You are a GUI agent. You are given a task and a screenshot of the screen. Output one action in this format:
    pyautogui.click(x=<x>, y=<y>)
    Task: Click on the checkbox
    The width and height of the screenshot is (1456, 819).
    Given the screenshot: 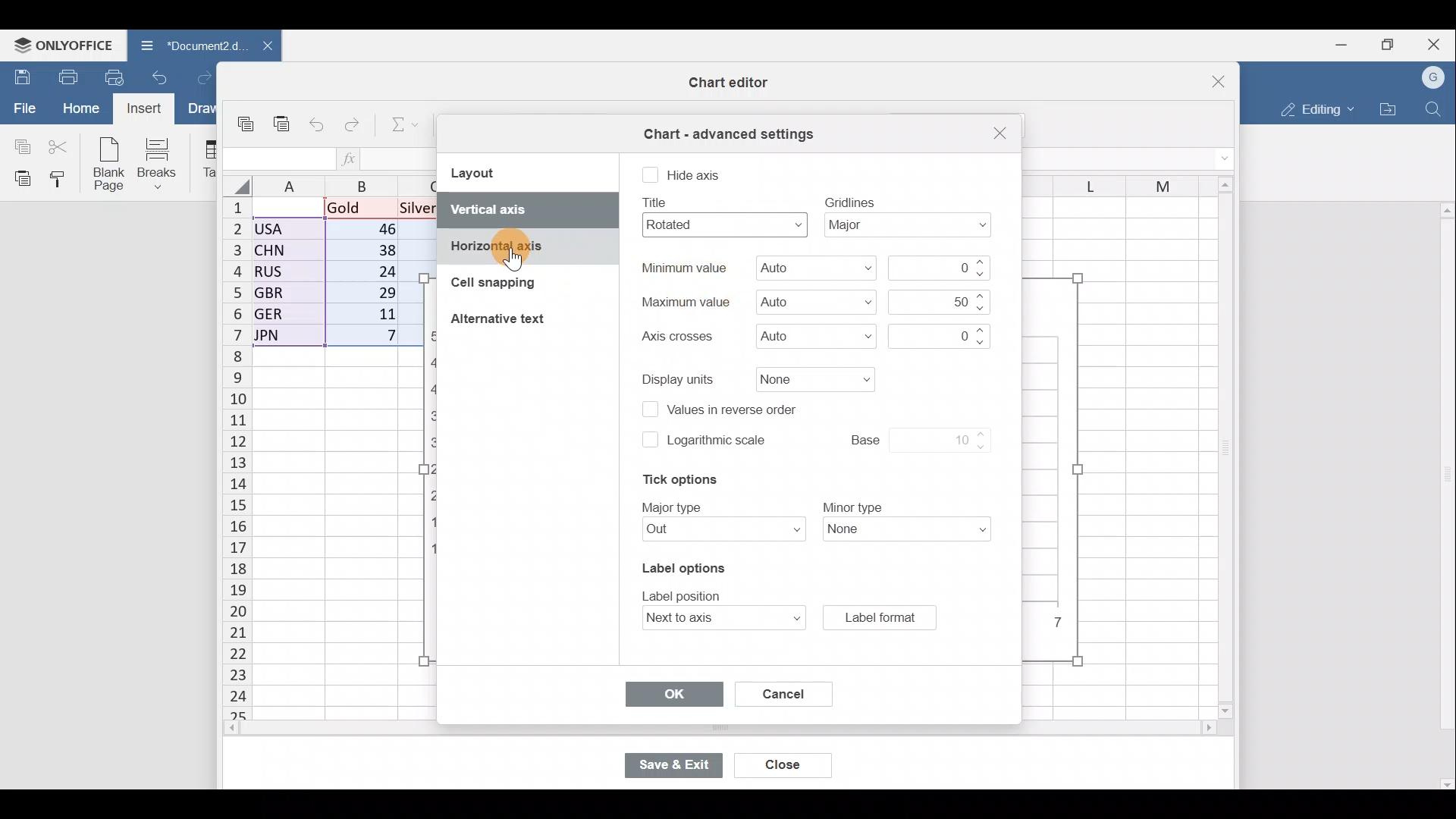 What is the action you would take?
    pyautogui.click(x=648, y=439)
    